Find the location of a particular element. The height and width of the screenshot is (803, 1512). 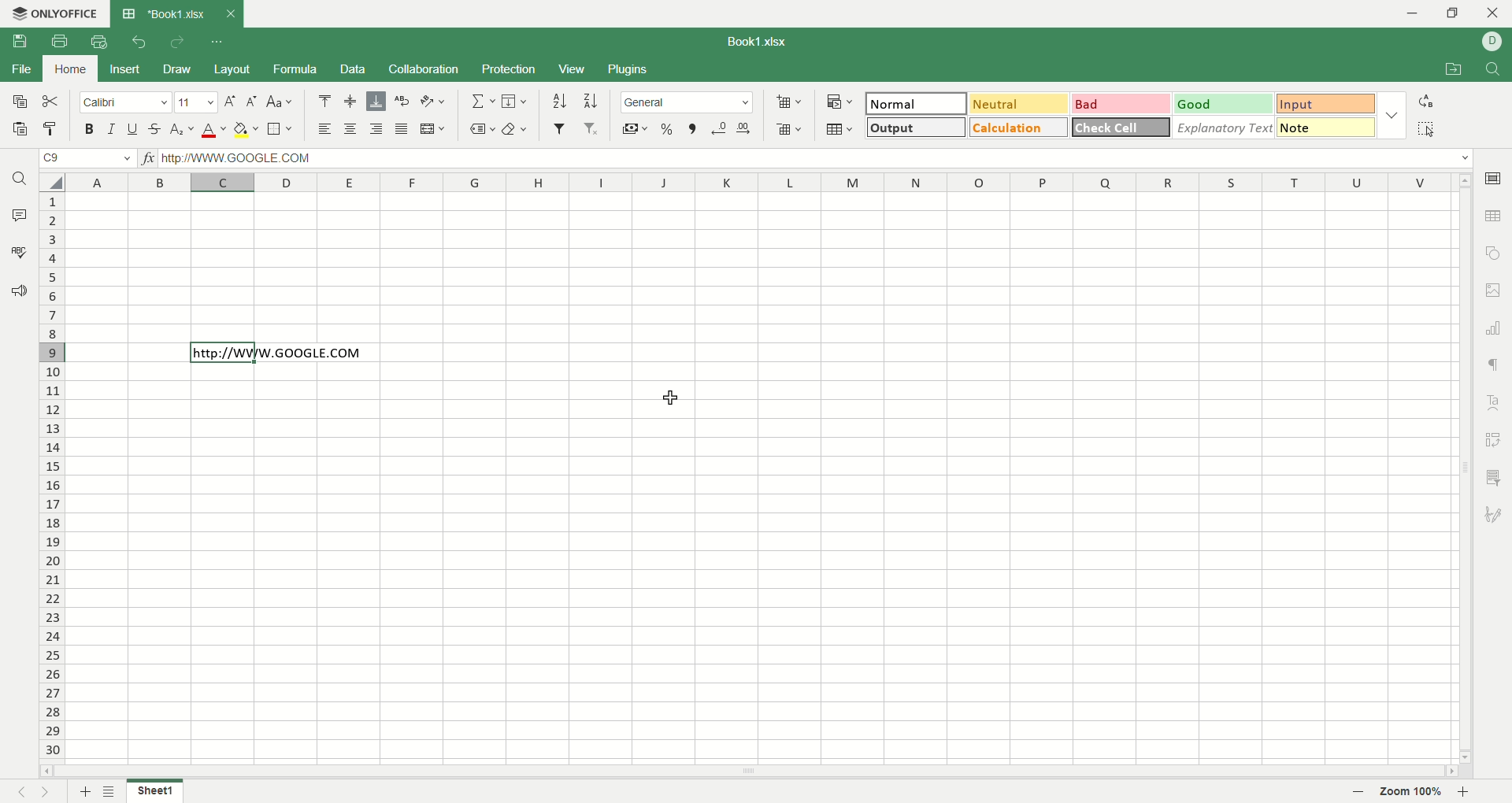

zoom out is located at coordinates (1359, 792).